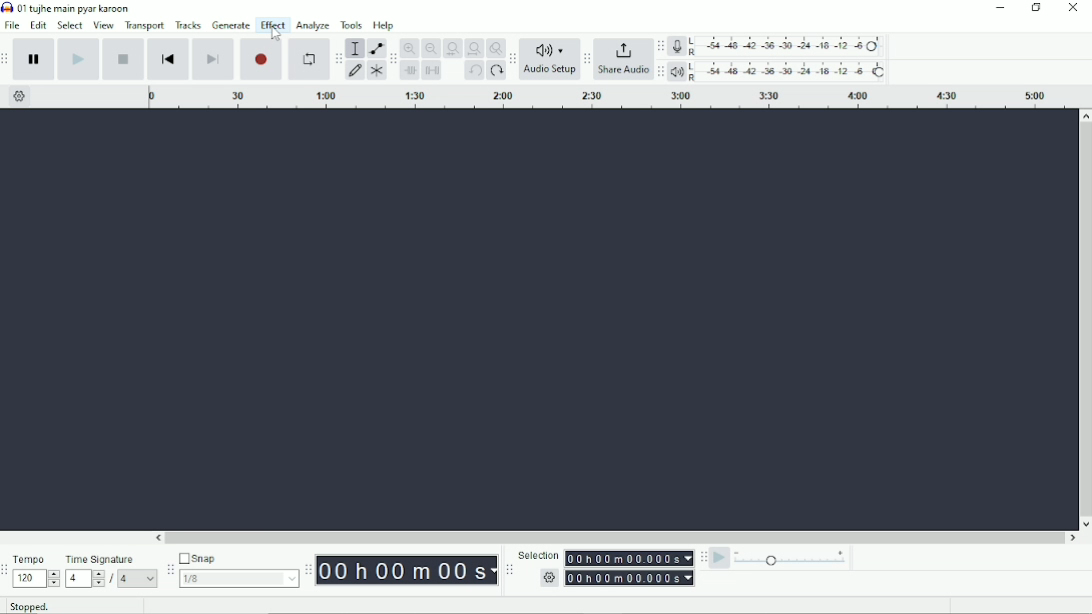 This screenshot has width=1092, height=614. Describe the element at coordinates (374, 47) in the screenshot. I see `Envelope tool` at that location.